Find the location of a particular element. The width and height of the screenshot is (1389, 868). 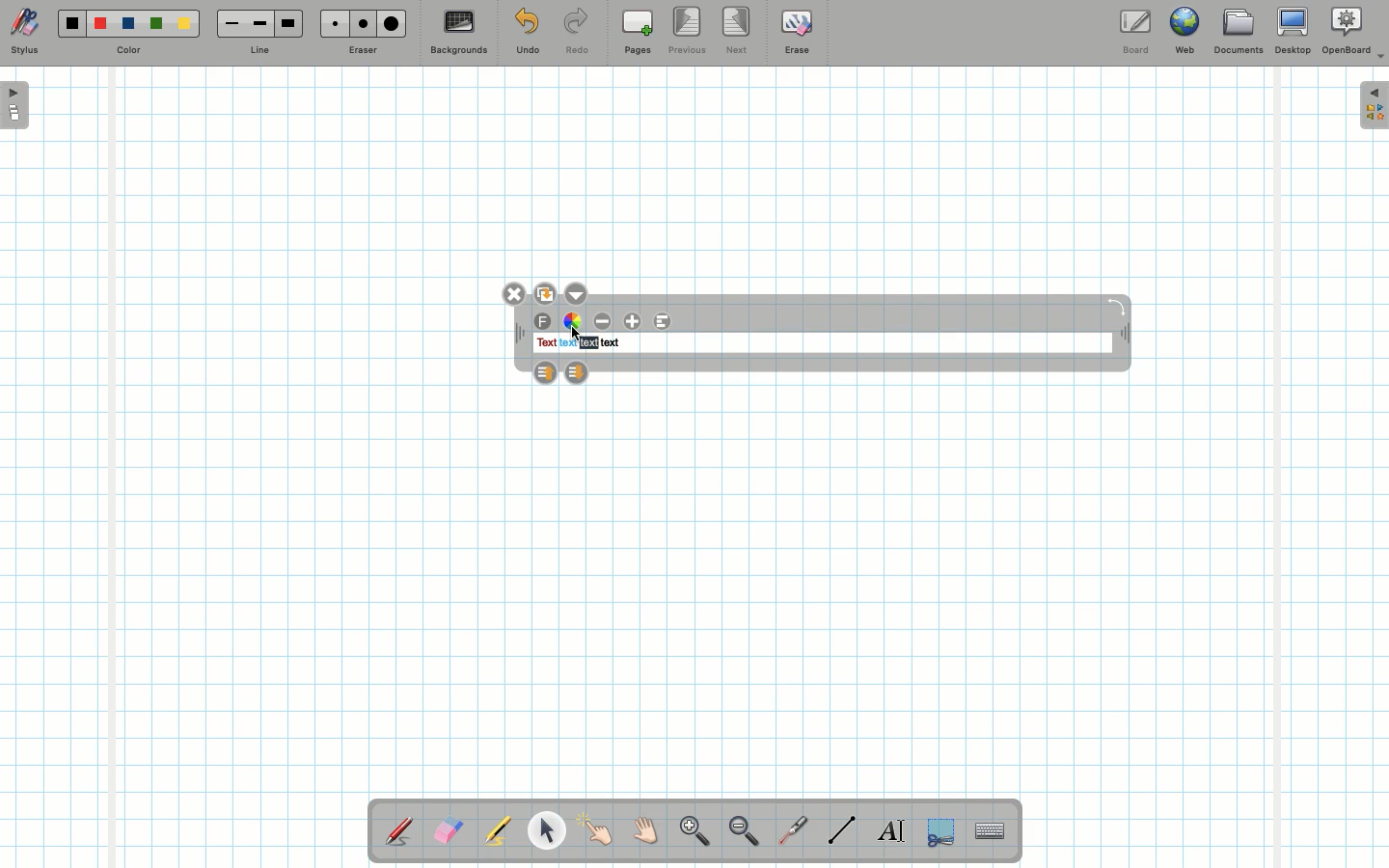

Pointer is located at coordinates (546, 830).